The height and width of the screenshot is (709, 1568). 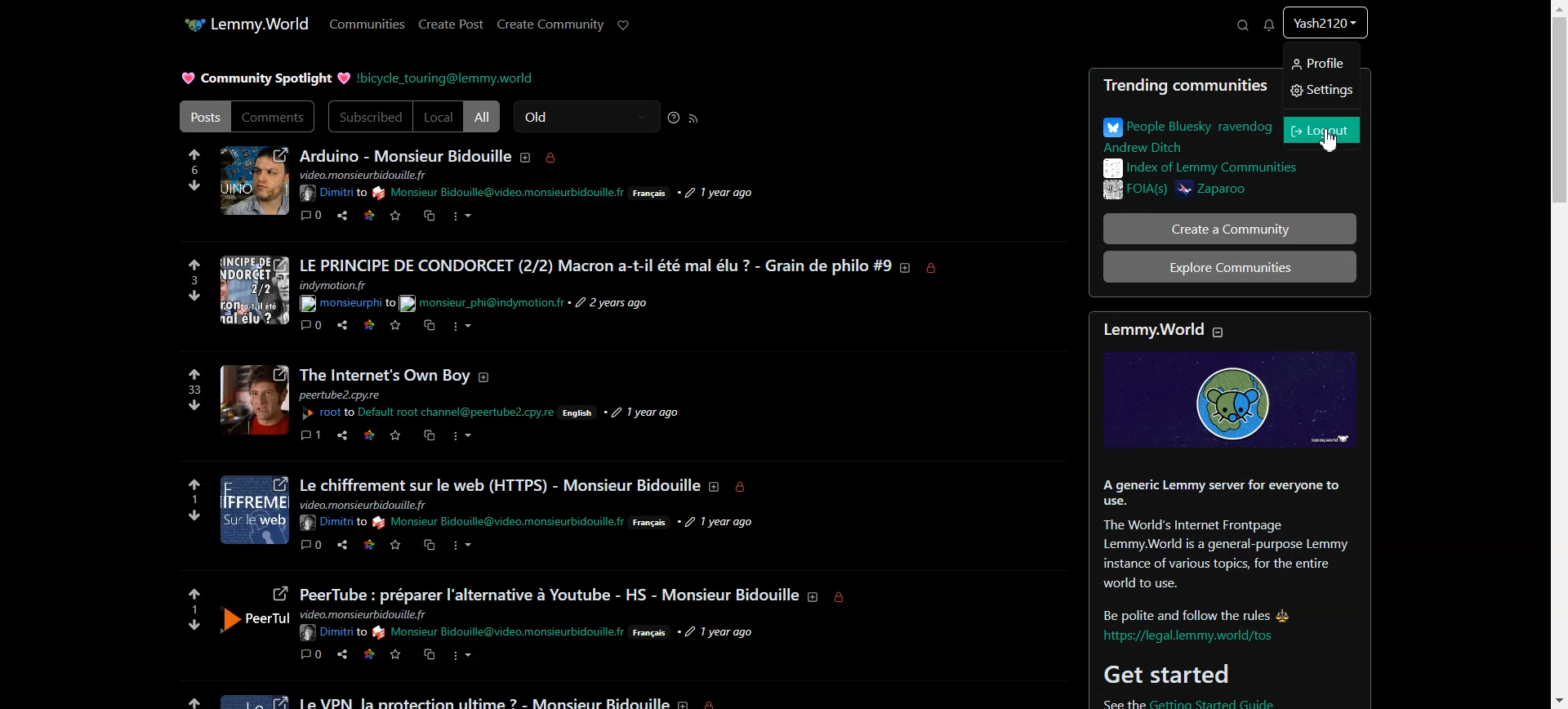 What do you see at coordinates (363, 504) in the screenshot?
I see `text` at bounding box center [363, 504].